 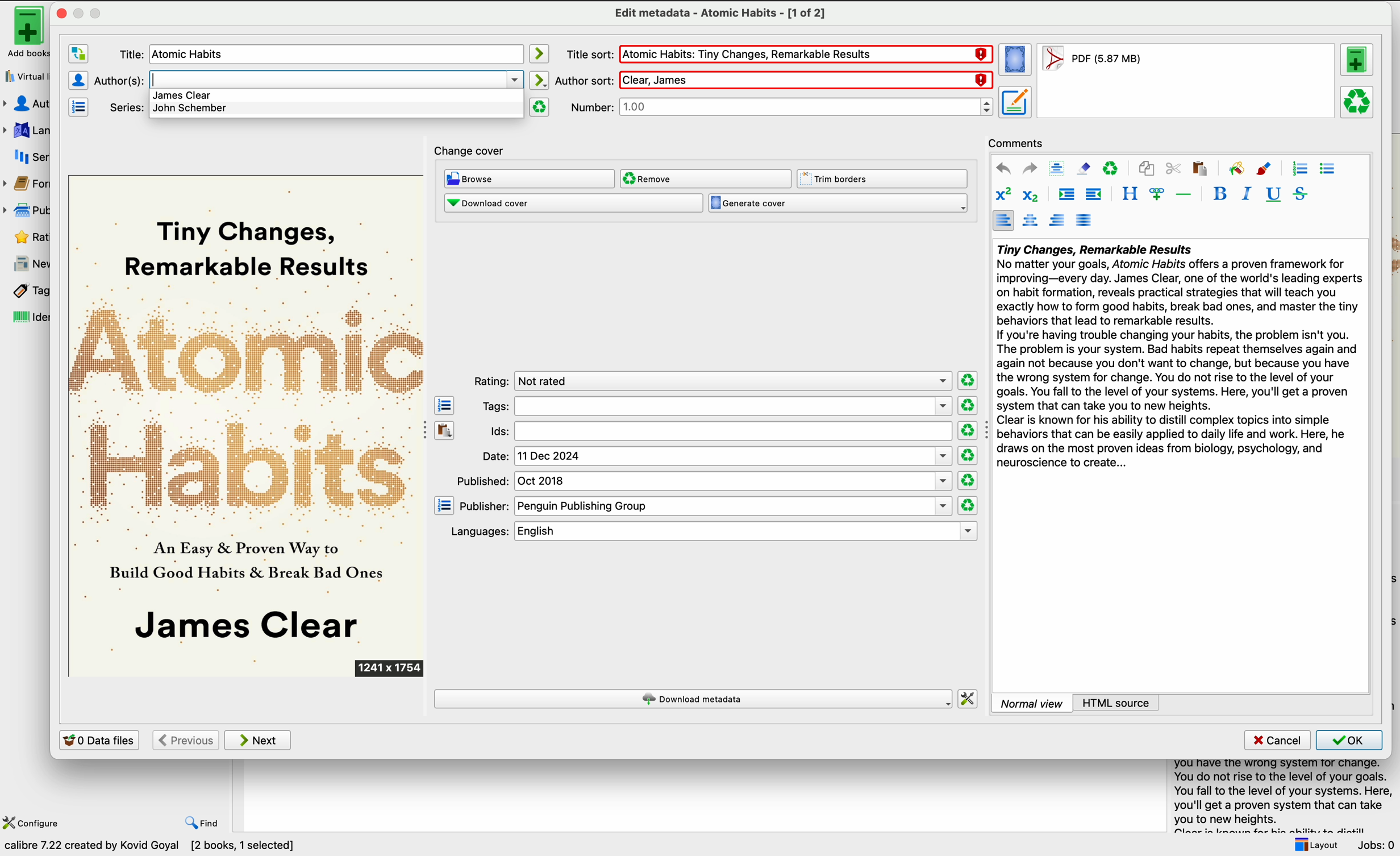 I want to click on summary, so click(x=1178, y=359).